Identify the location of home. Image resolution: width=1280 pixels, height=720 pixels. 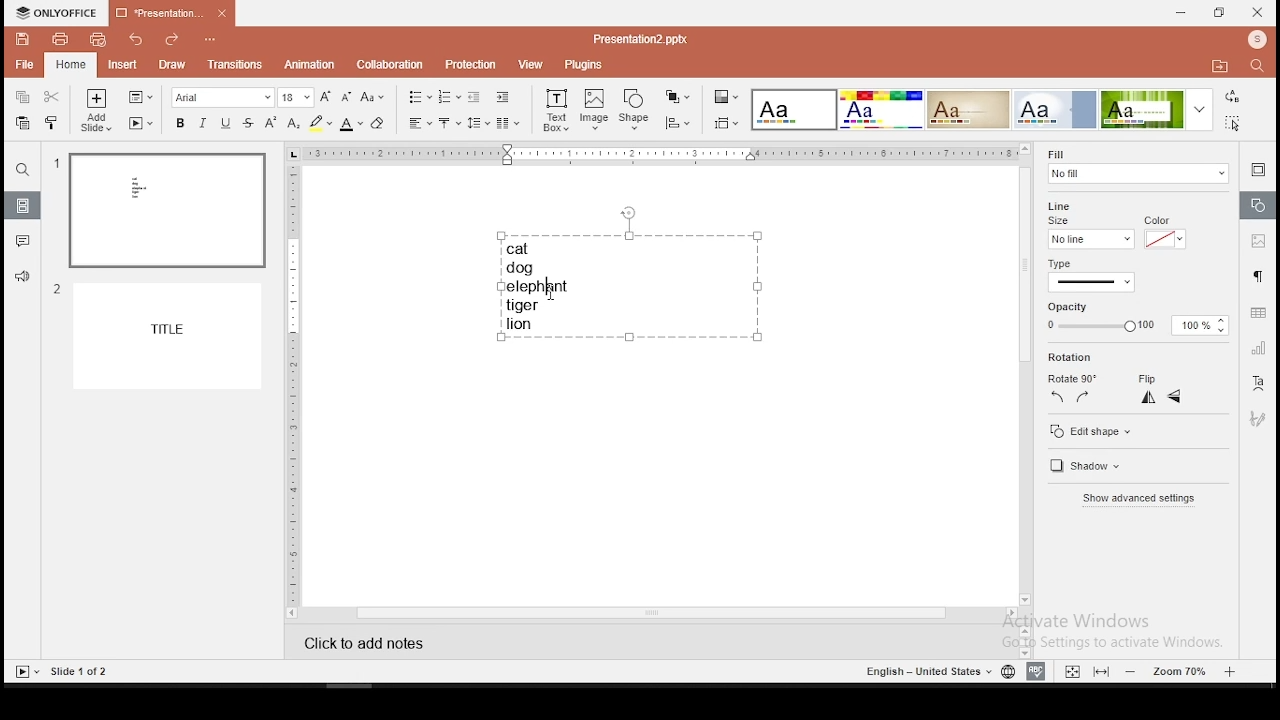
(69, 62).